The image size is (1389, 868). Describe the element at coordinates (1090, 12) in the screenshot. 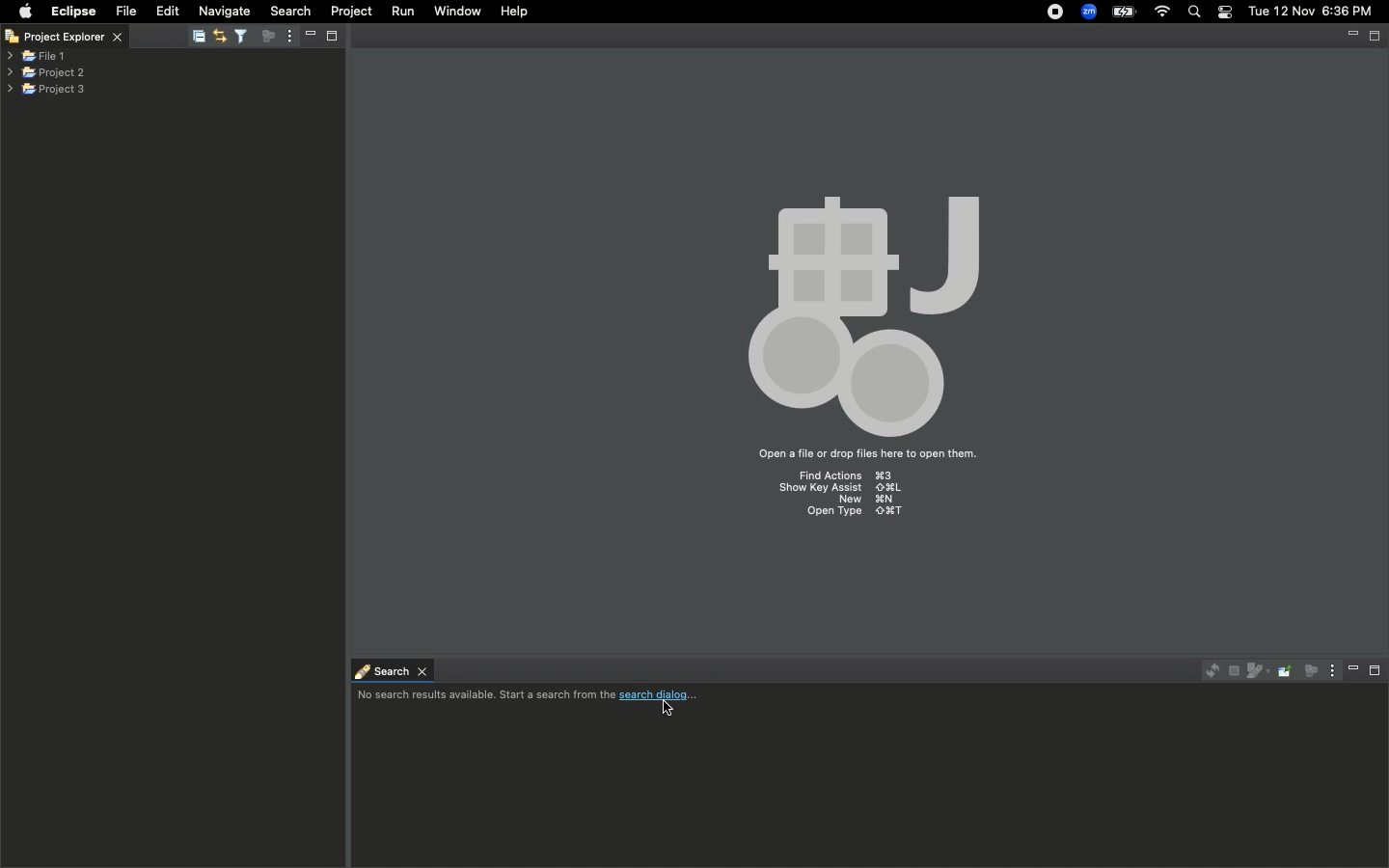

I see `Zoom` at that location.